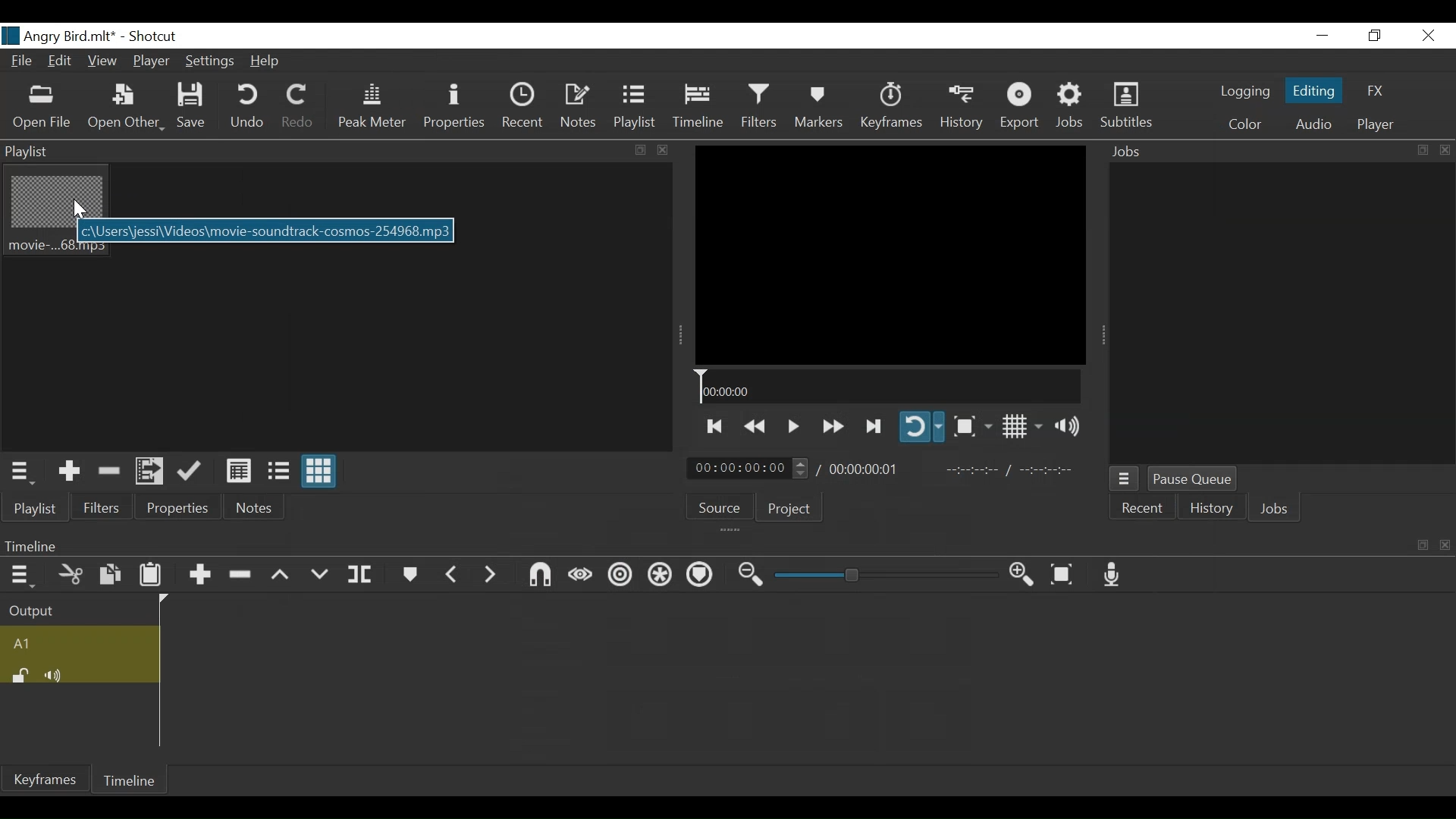 The height and width of the screenshot is (819, 1456). I want to click on Skip to the next to point, so click(716, 424).